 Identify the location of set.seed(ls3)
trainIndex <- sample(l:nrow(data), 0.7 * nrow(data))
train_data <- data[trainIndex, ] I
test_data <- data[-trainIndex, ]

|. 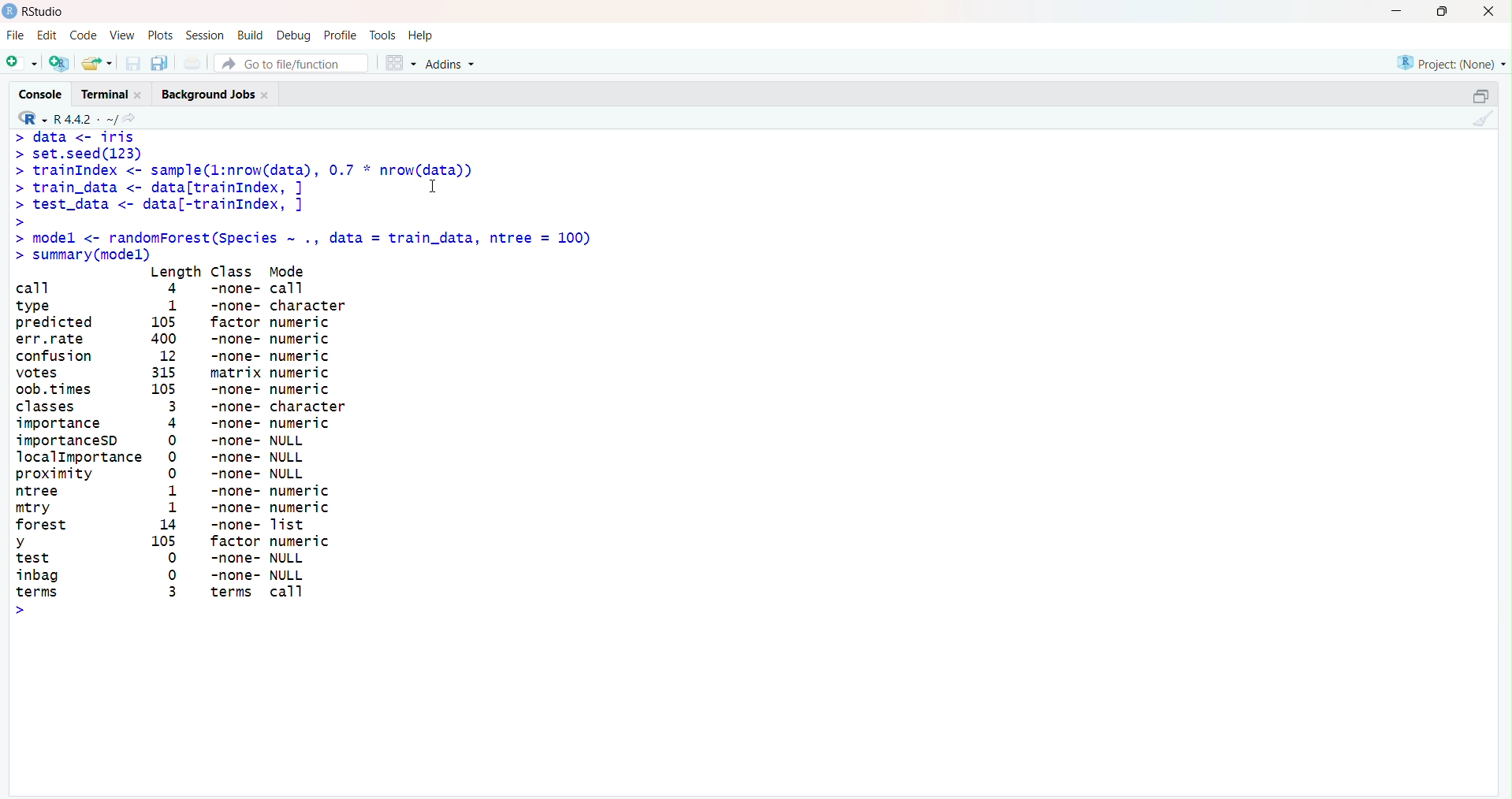
(260, 180).